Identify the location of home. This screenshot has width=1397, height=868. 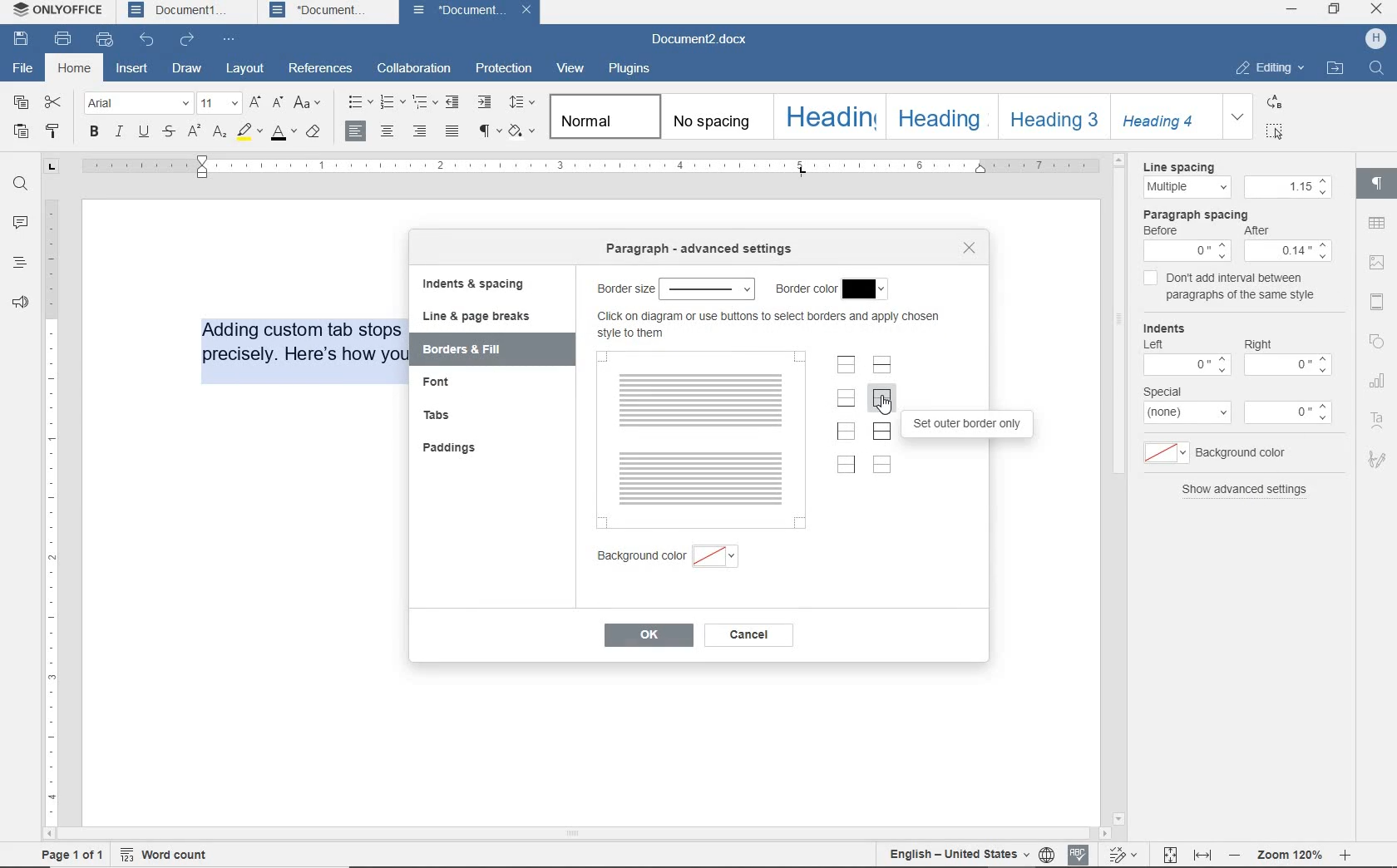
(74, 69).